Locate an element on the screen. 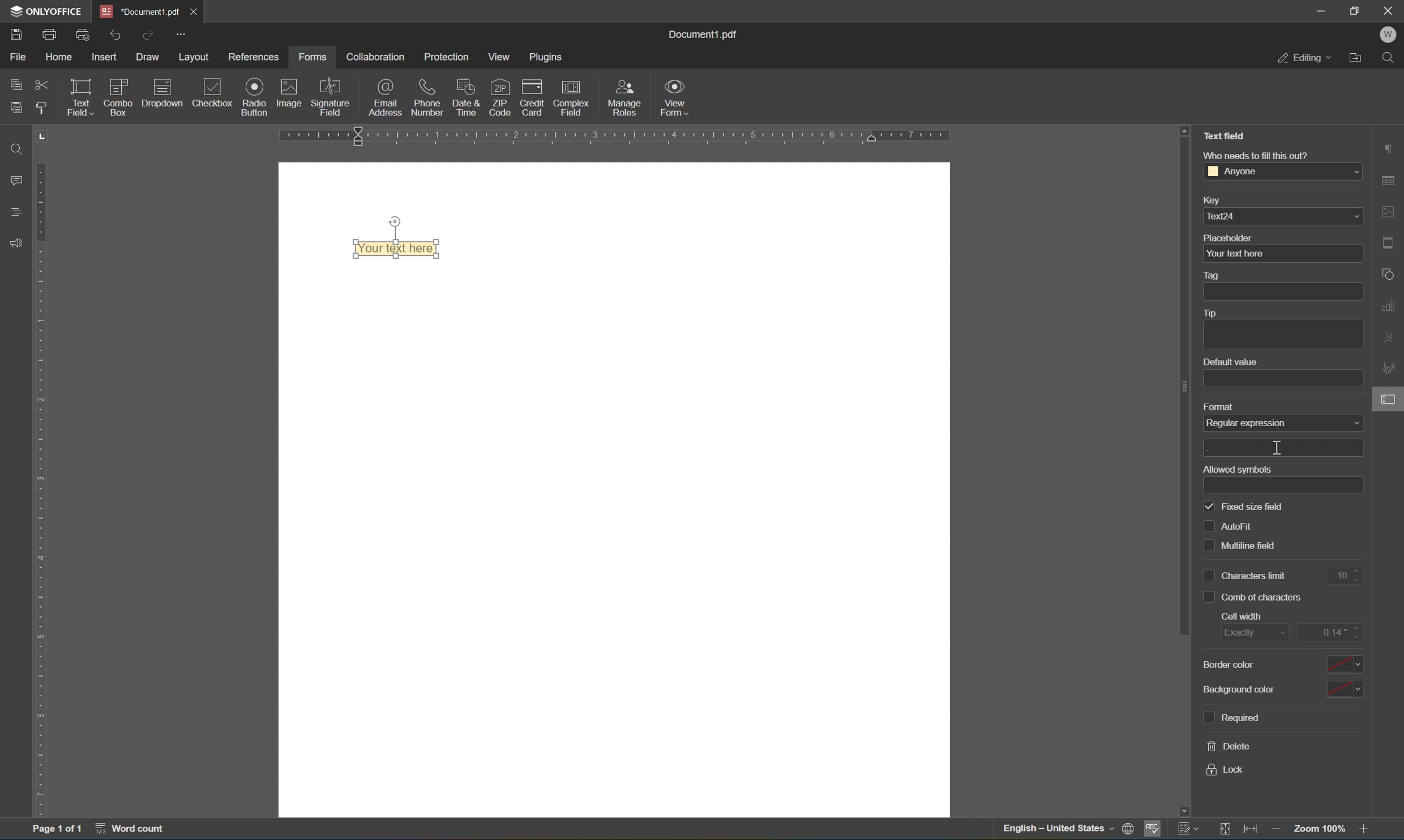 This screenshot has height=840, width=1404. close is located at coordinates (1390, 9).